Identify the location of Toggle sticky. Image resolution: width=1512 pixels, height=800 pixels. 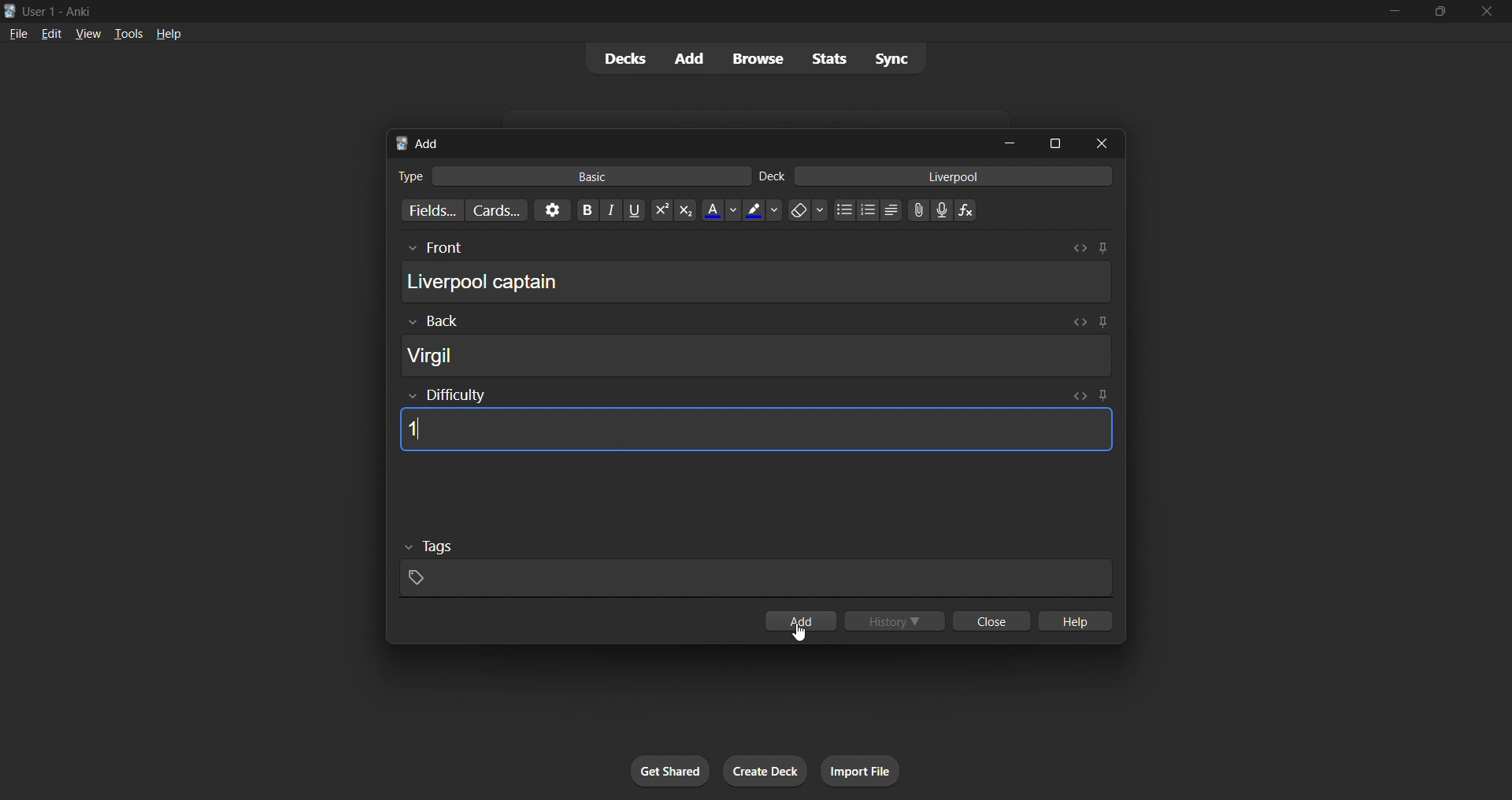
(1100, 324).